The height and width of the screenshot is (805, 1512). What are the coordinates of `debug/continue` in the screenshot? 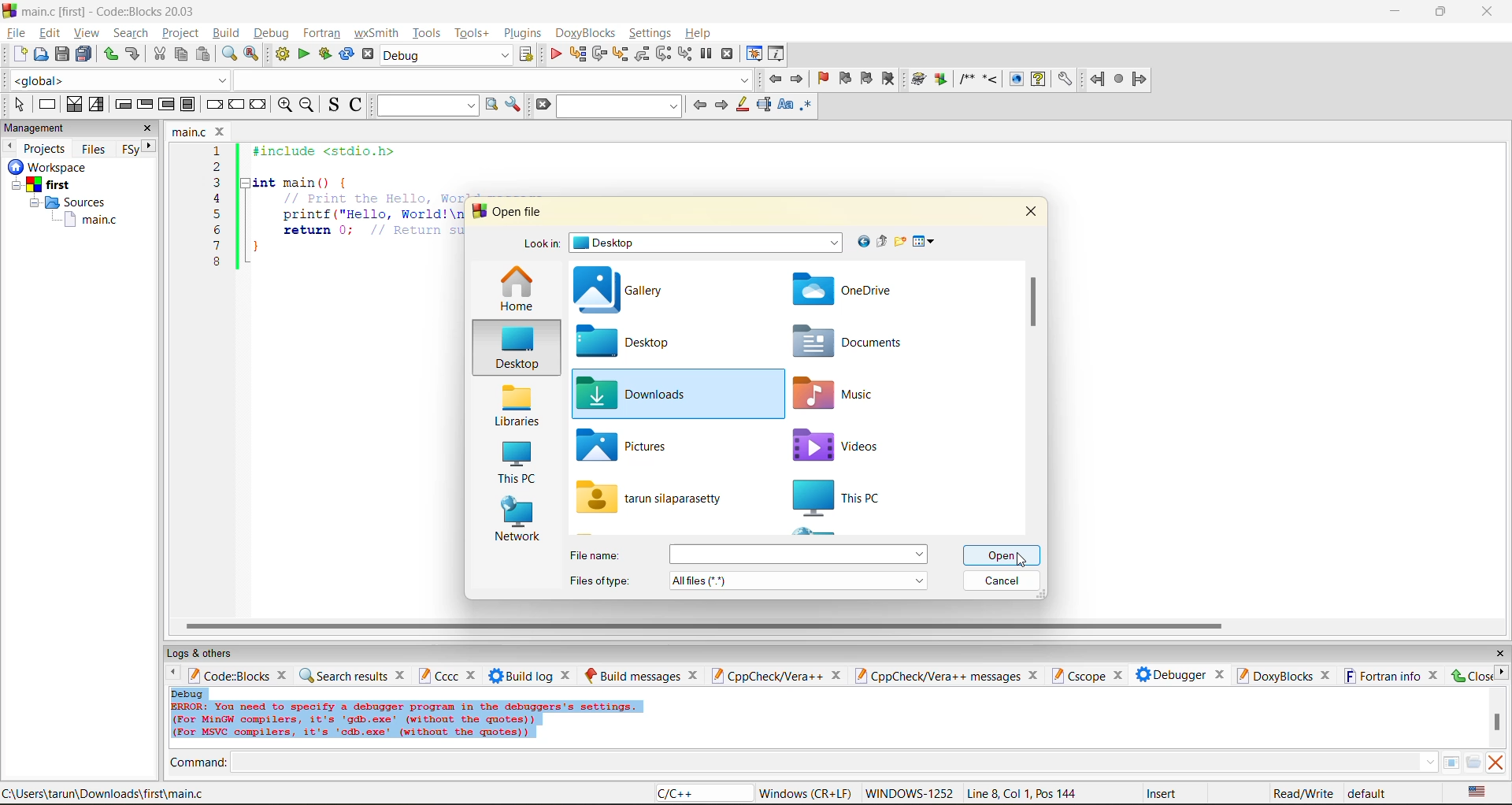 It's located at (555, 54).